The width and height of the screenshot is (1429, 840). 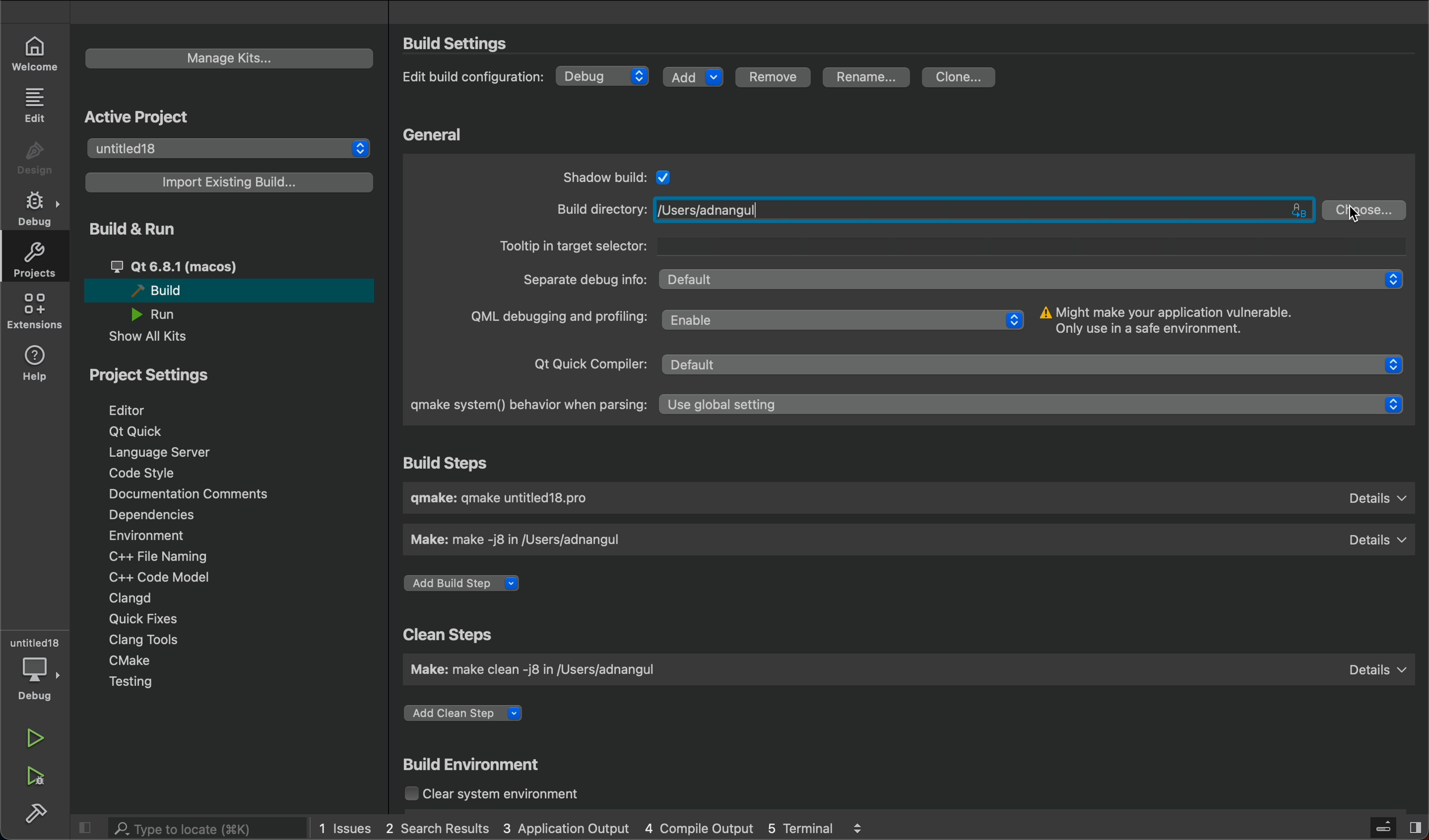 What do you see at coordinates (132, 682) in the screenshot?
I see `testing` at bounding box center [132, 682].